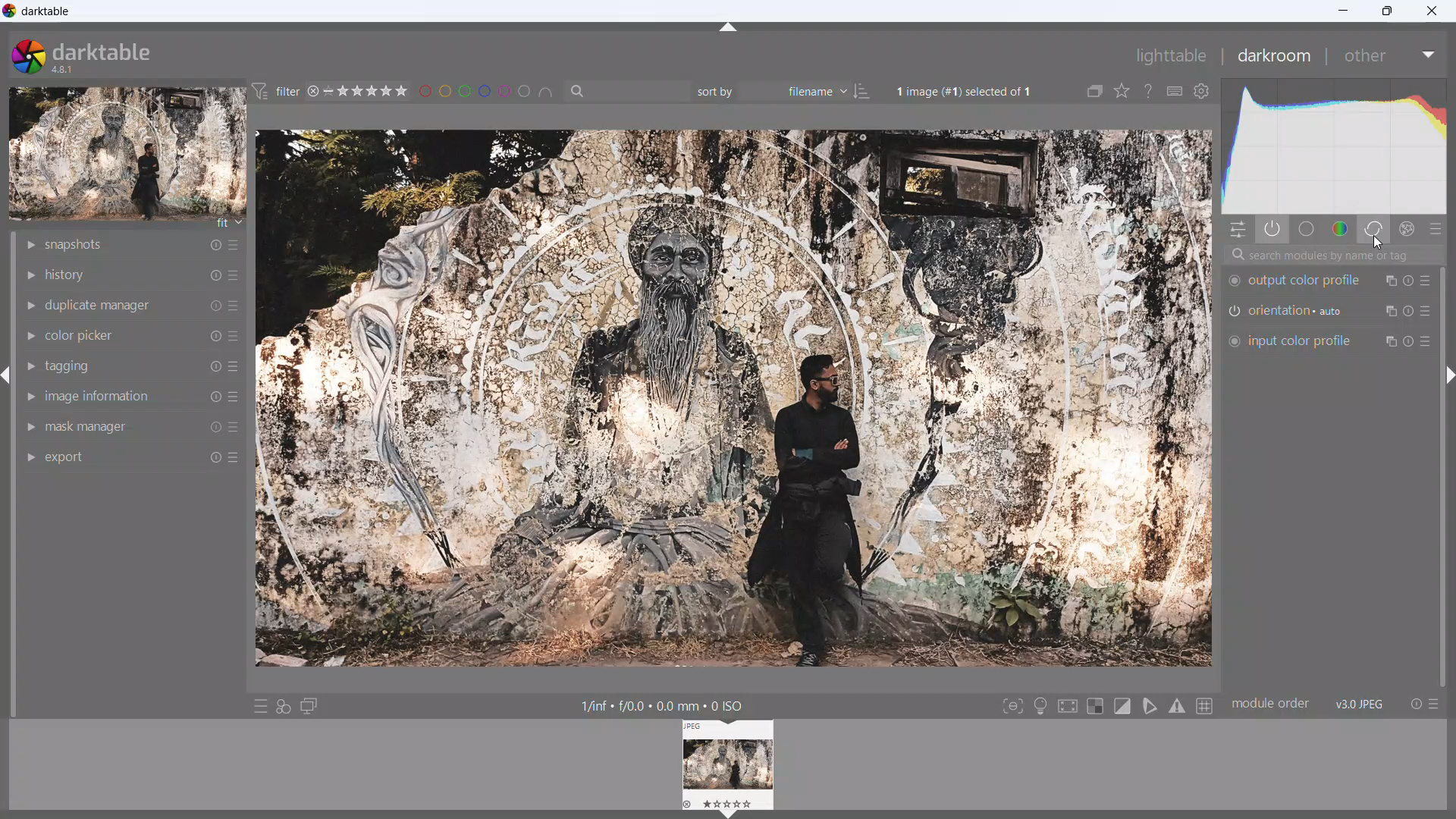 Image resolution: width=1456 pixels, height=819 pixels. What do you see at coordinates (127, 151) in the screenshot?
I see `image preview` at bounding box center [127, 151].